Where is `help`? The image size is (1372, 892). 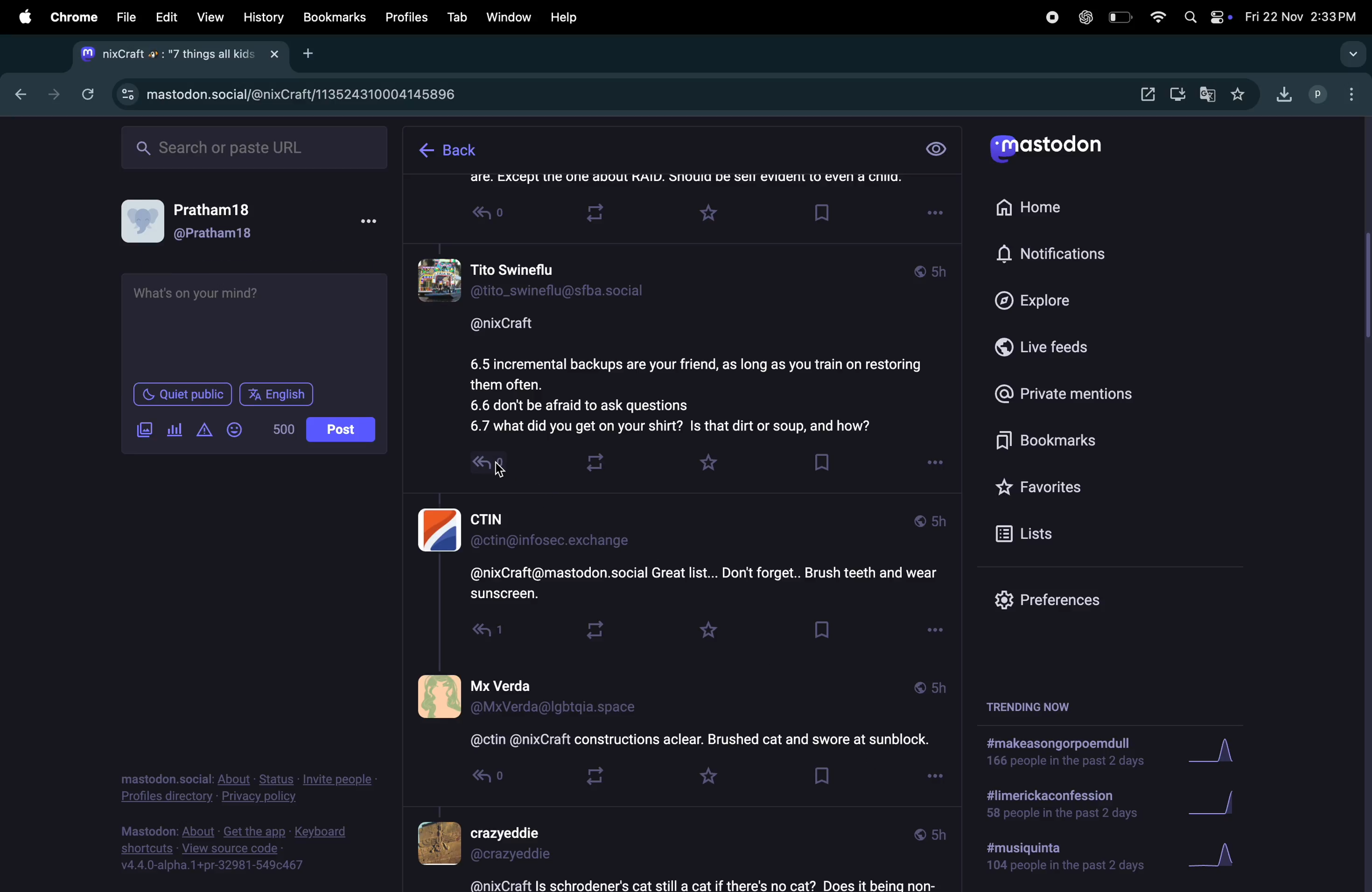 help is located at coordinates (567, 17).